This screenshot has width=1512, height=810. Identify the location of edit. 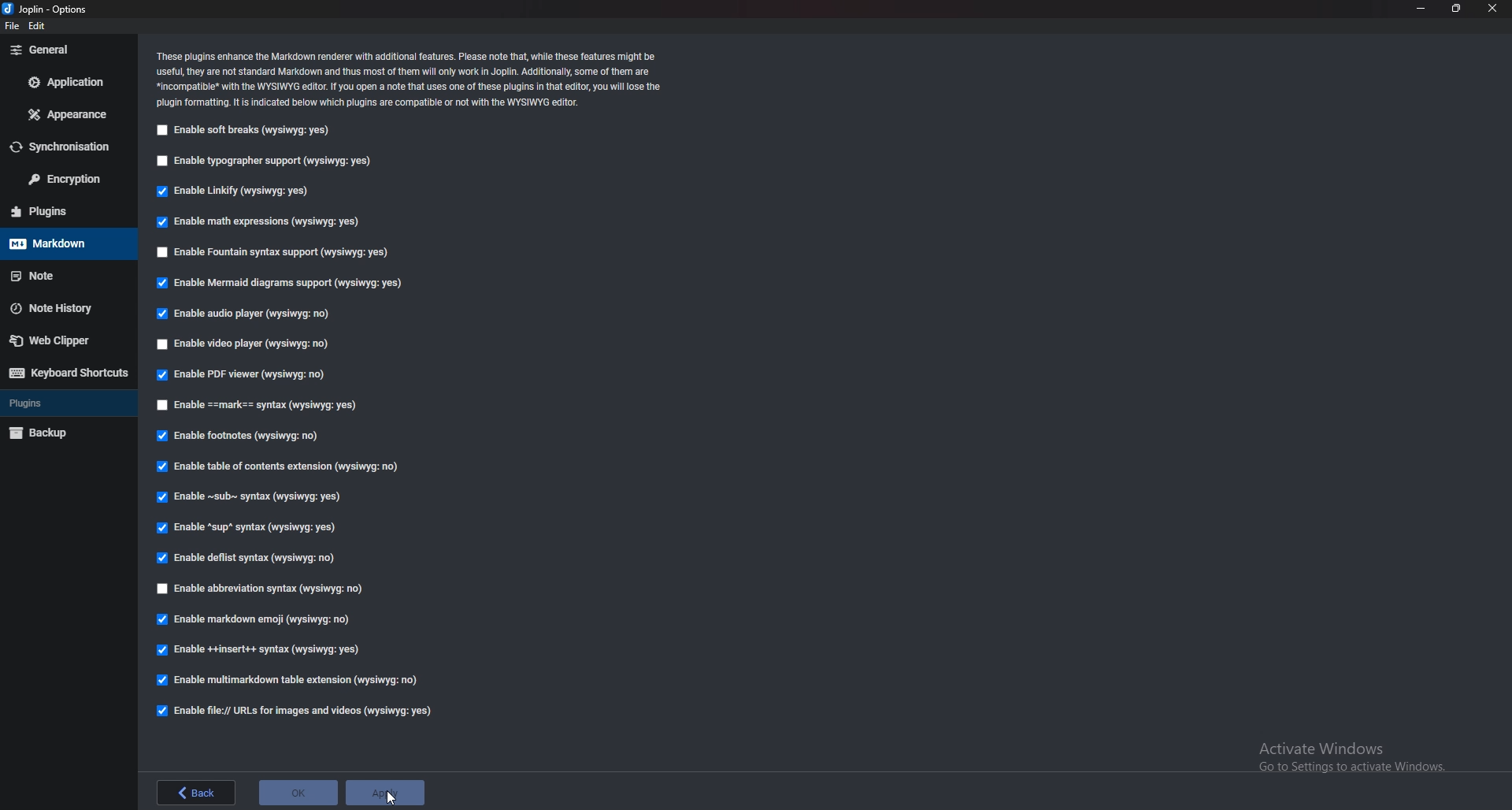
(40, 25).